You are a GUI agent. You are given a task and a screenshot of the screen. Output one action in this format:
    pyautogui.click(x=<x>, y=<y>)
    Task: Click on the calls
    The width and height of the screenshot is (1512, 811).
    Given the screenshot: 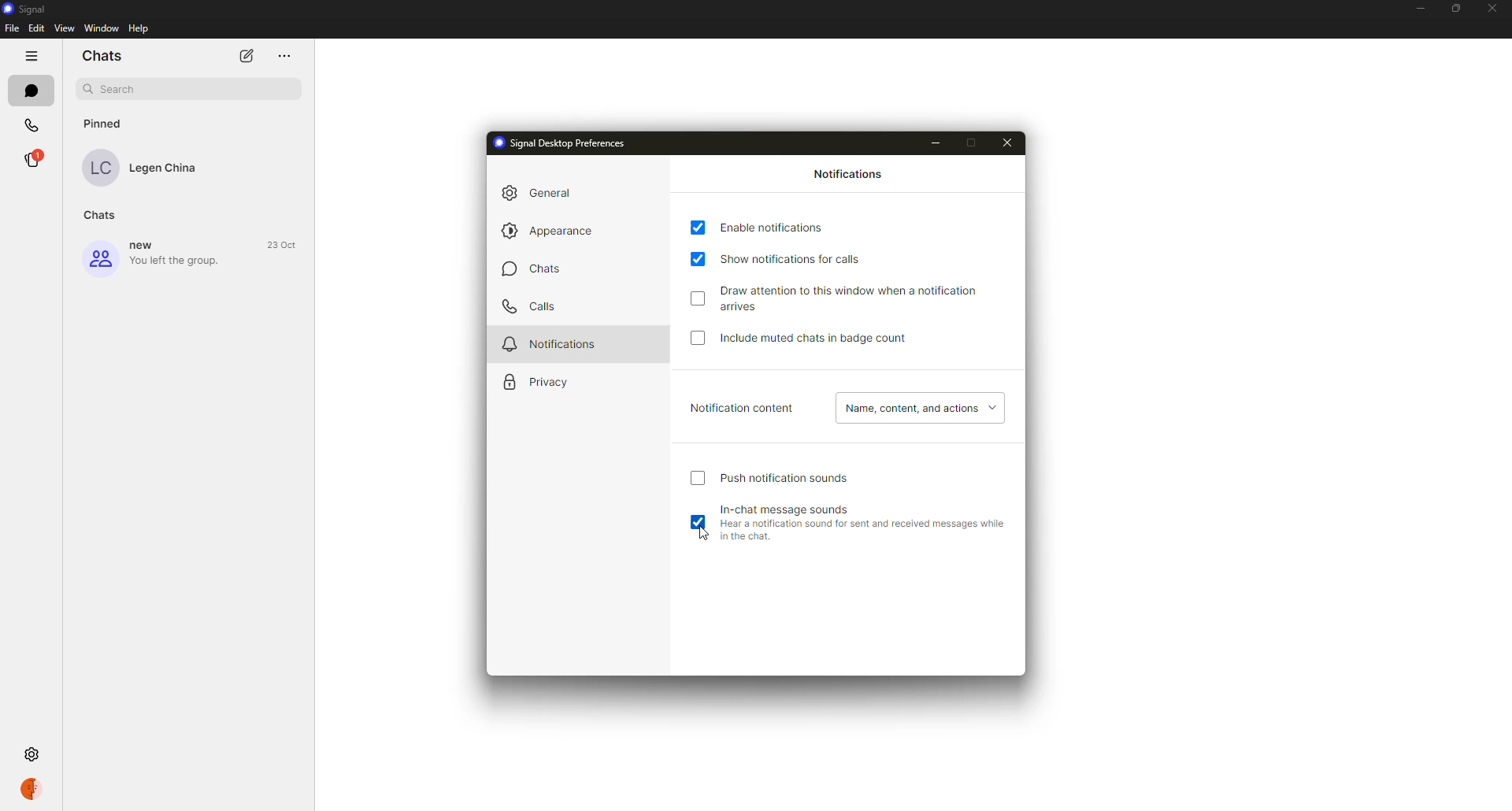 What is the action you would take?
    pyautogui.click(x=532, y=307)
    